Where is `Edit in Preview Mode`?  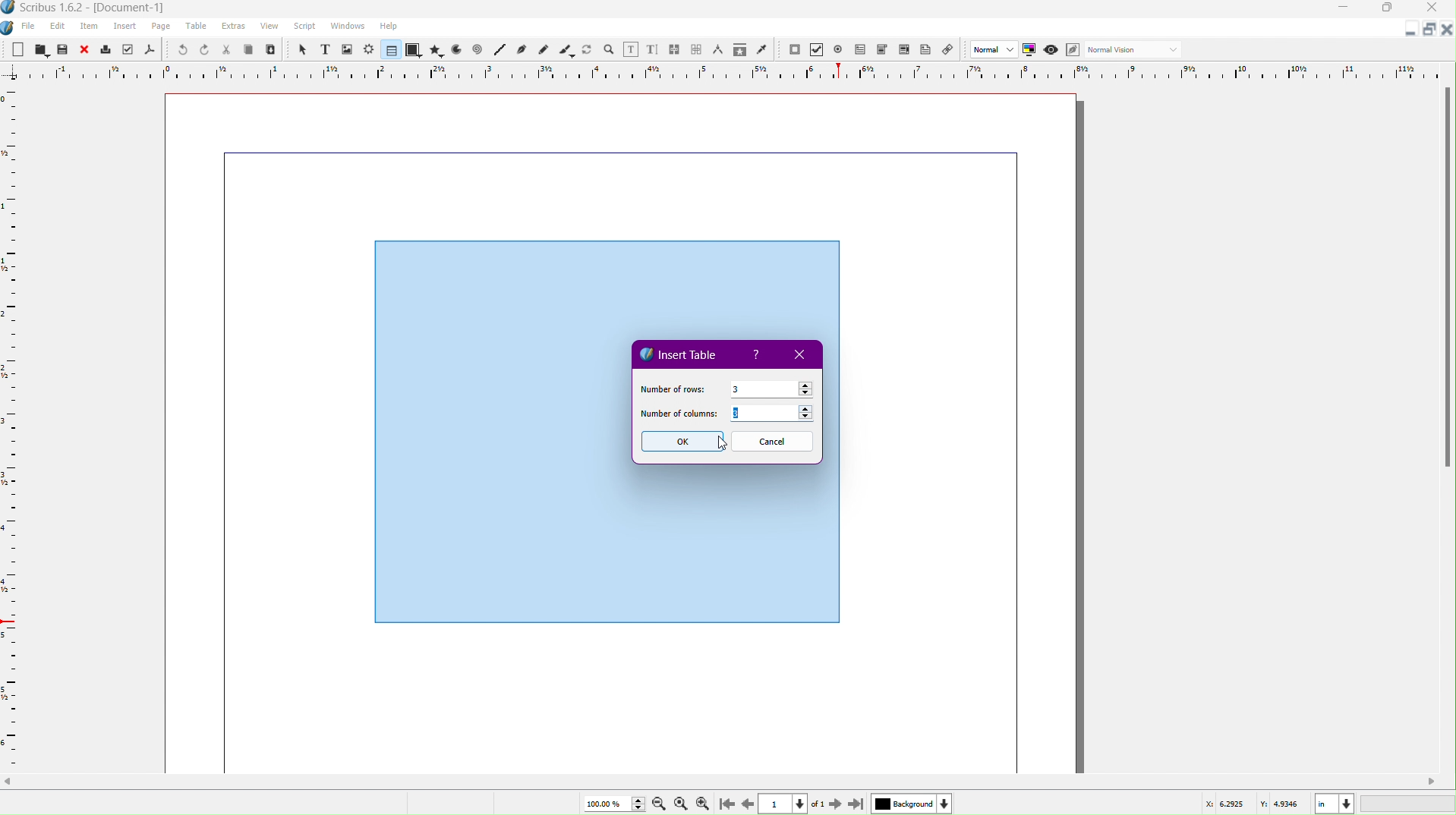
Edit in Preview Mode is located at coordinates (1075, 50).